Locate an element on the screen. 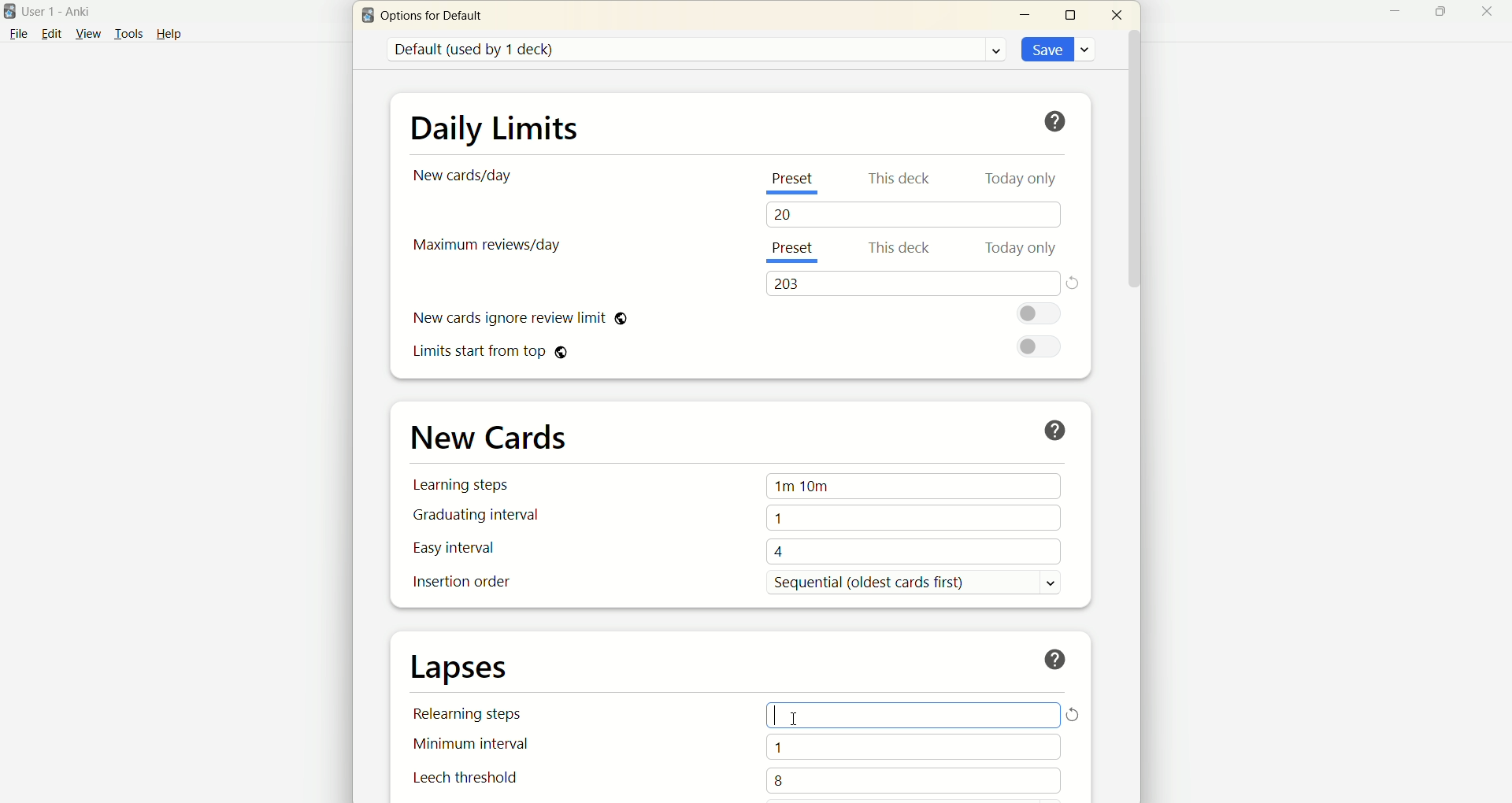 This screenshot has height=803, width=1512. save is located at coordinates (1055, 47).